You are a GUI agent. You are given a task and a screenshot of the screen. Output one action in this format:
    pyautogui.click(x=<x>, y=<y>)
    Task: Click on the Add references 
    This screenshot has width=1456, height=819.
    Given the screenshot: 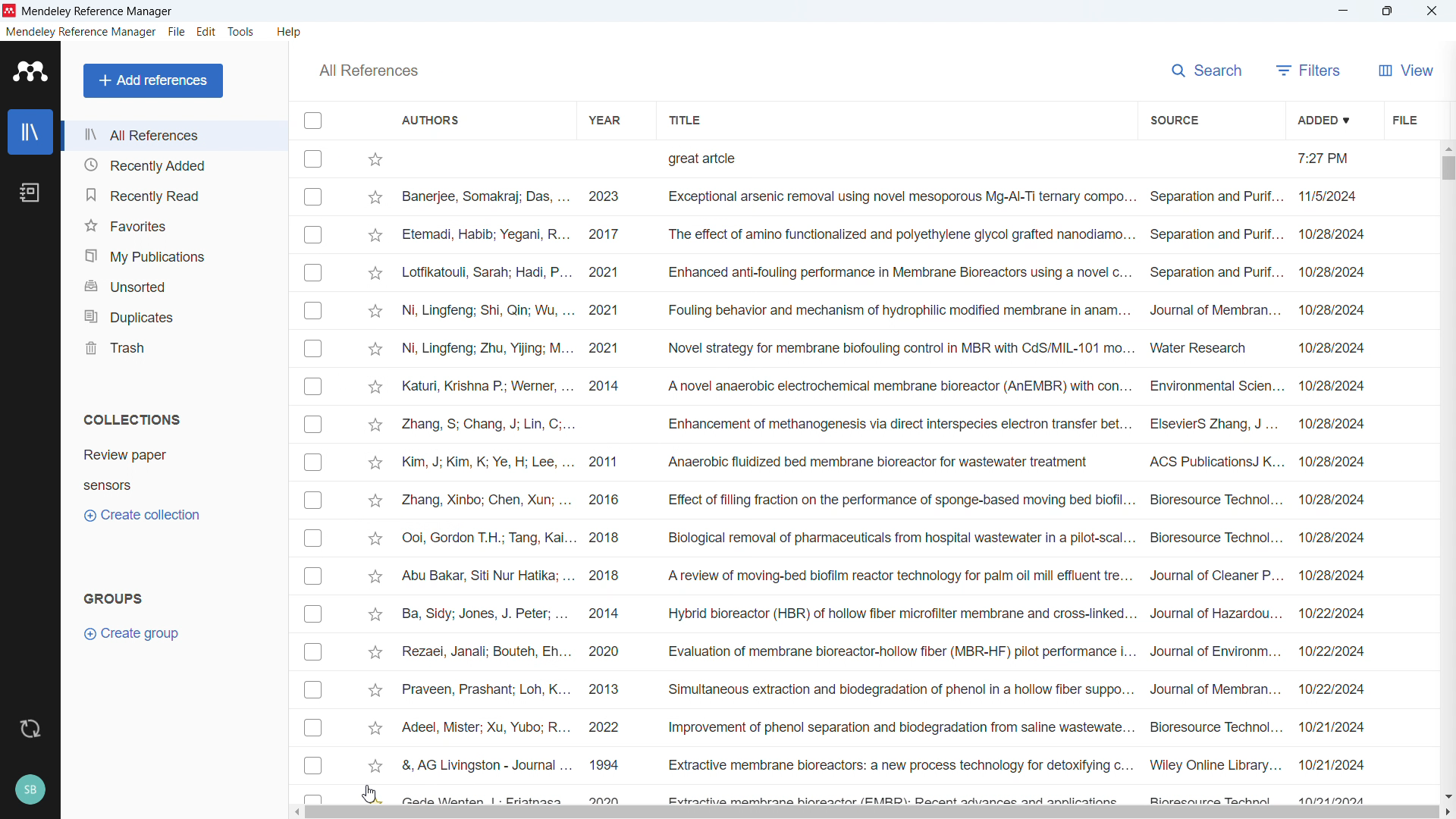 What is the action you would take?
    pyautogui.click(x=154, y=80)
    